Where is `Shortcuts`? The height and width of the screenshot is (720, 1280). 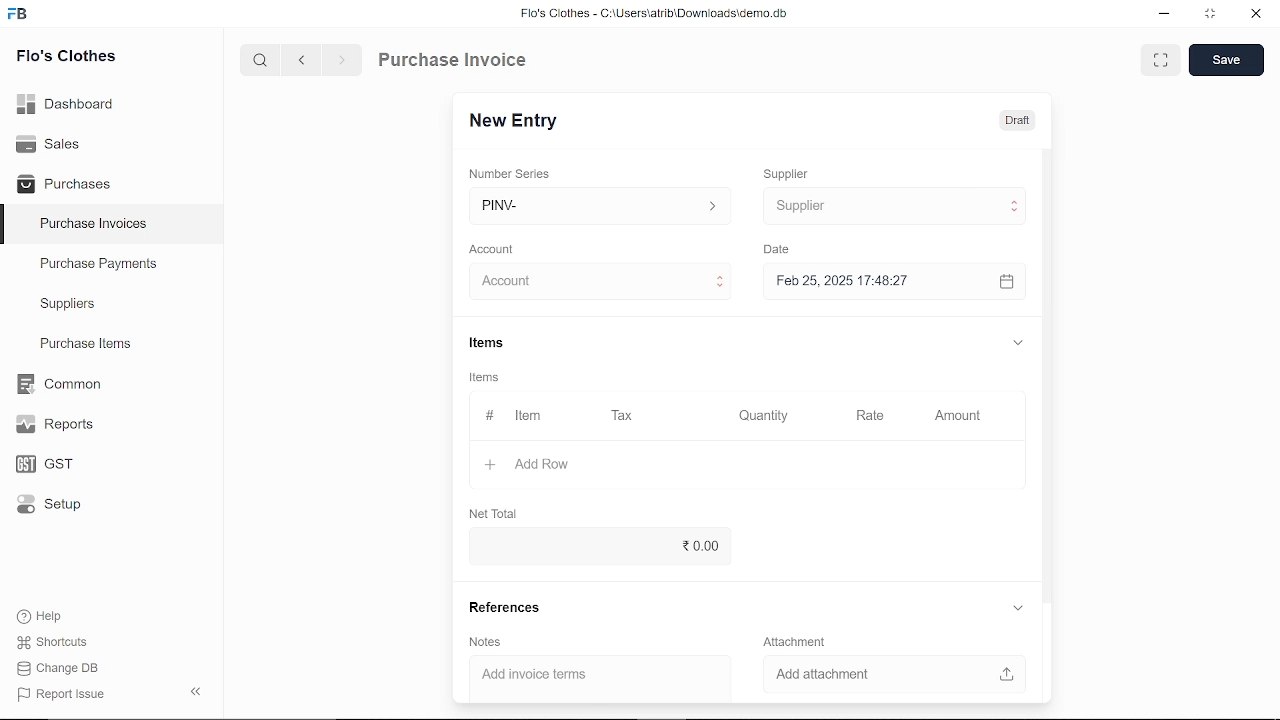
Shortcuts is located at coordinates (49, 643).